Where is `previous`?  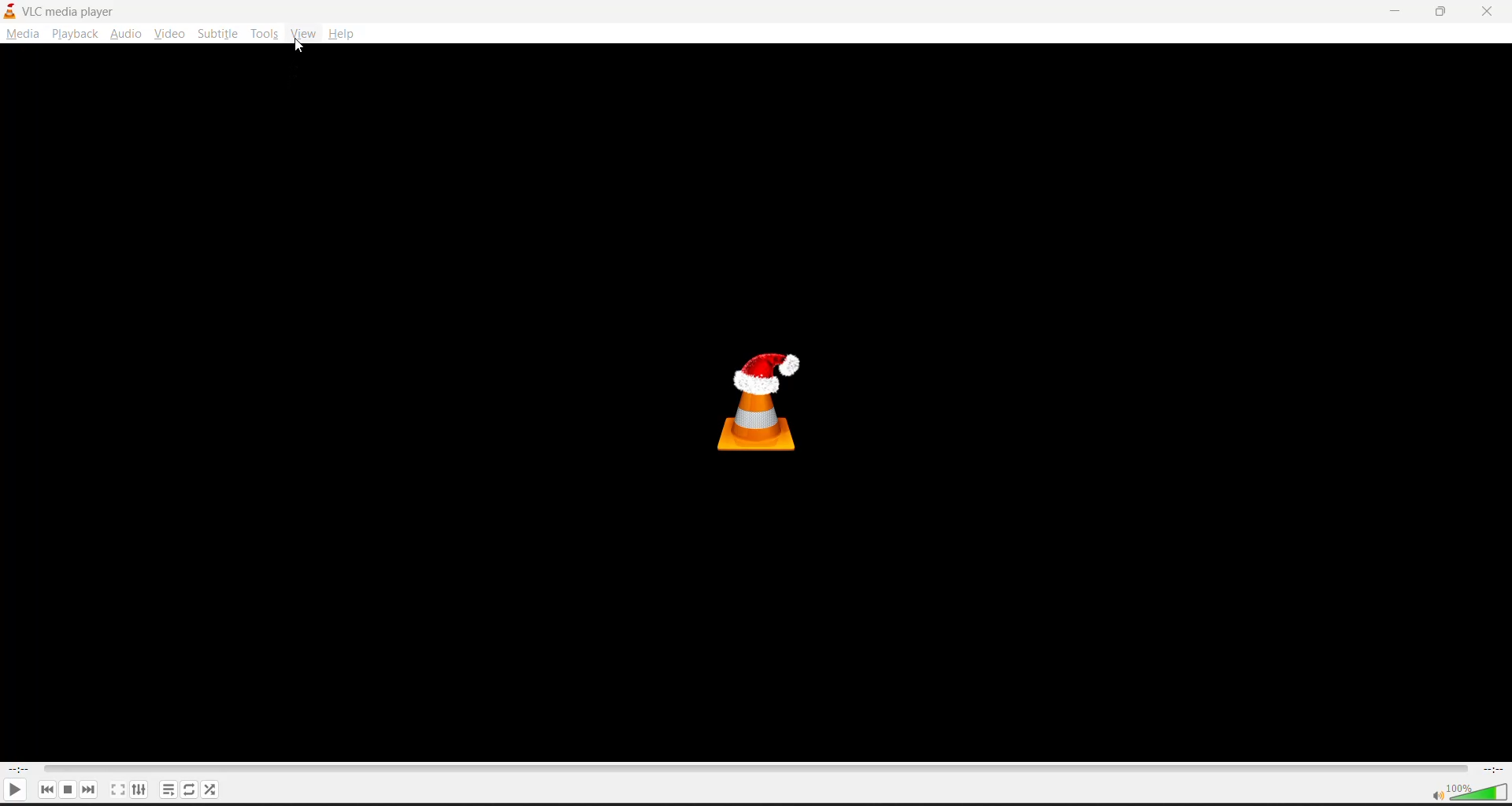
previous is located at coordinates (46, 789).